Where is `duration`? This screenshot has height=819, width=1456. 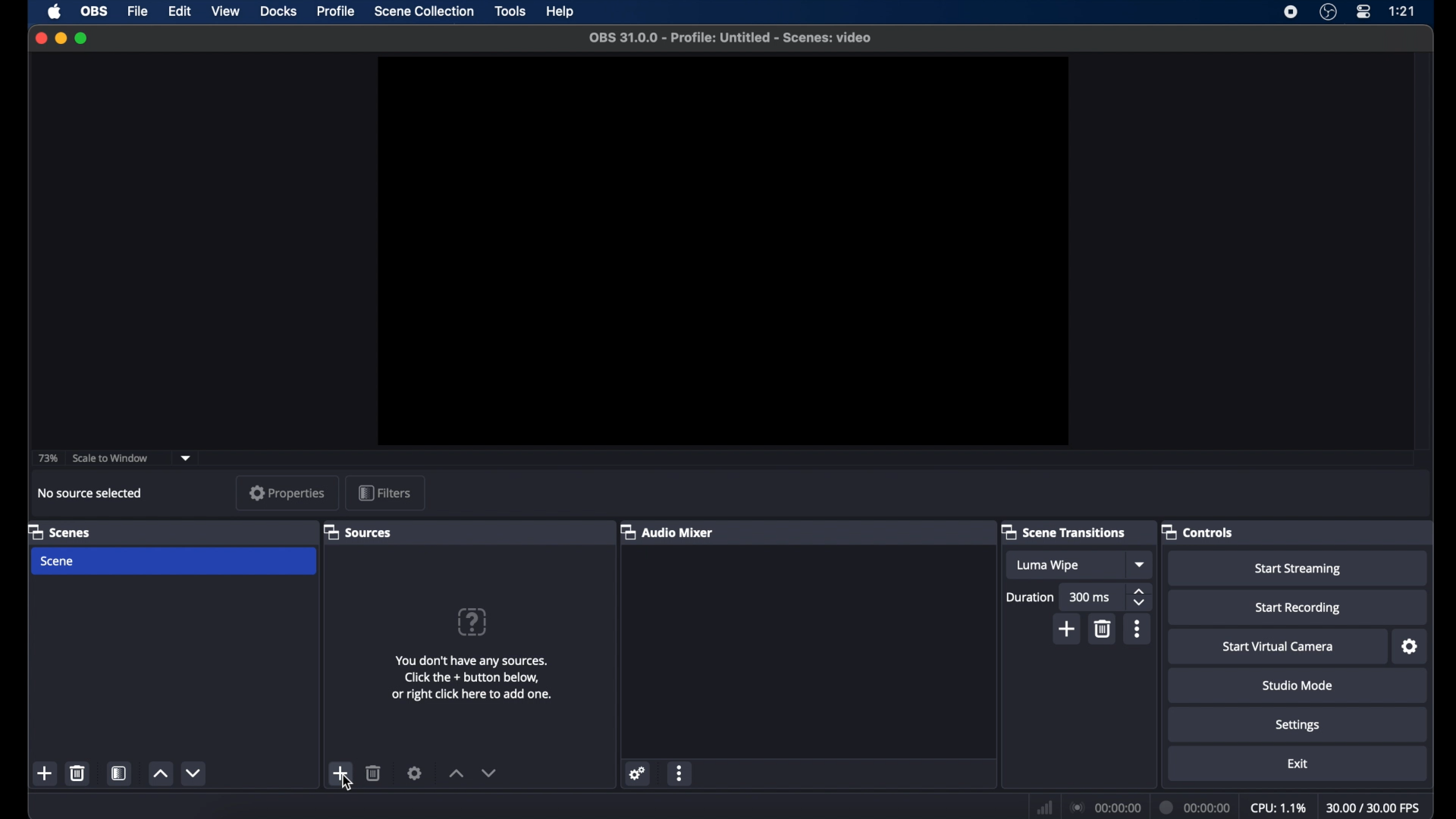 duration is located at coordinates (1029, 598).